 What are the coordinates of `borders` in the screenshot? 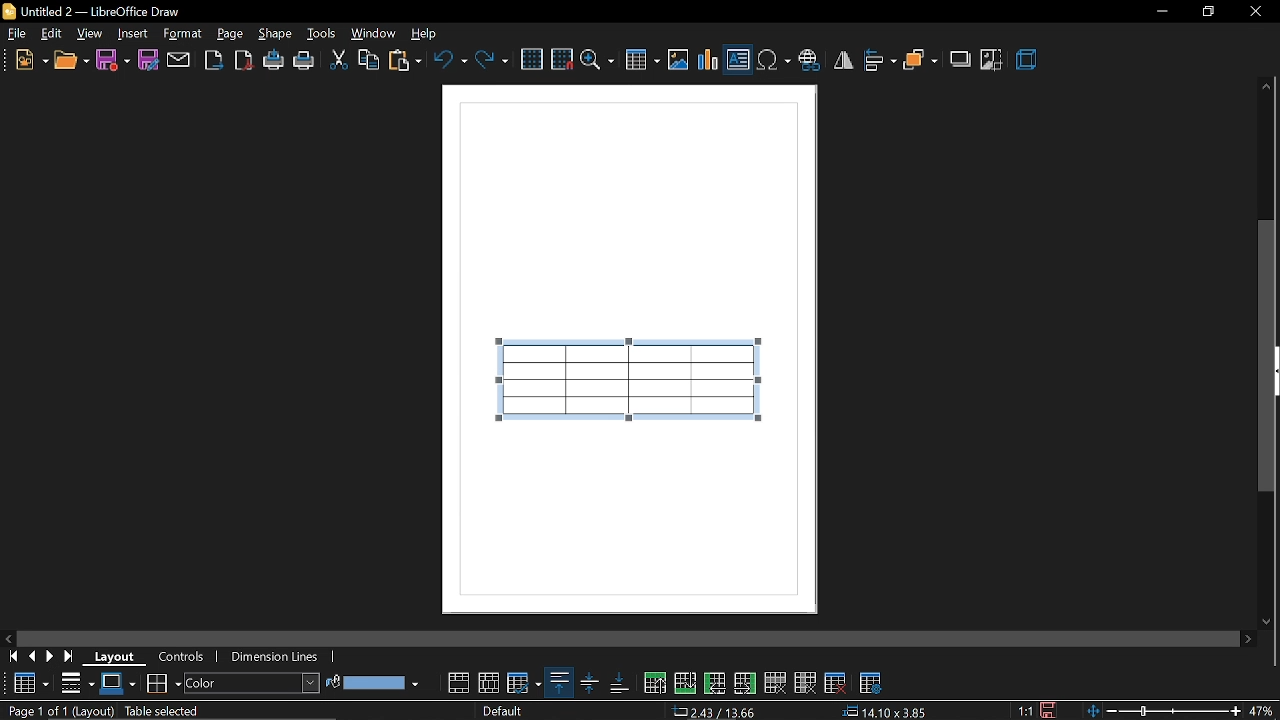 It's located at (163, 682).